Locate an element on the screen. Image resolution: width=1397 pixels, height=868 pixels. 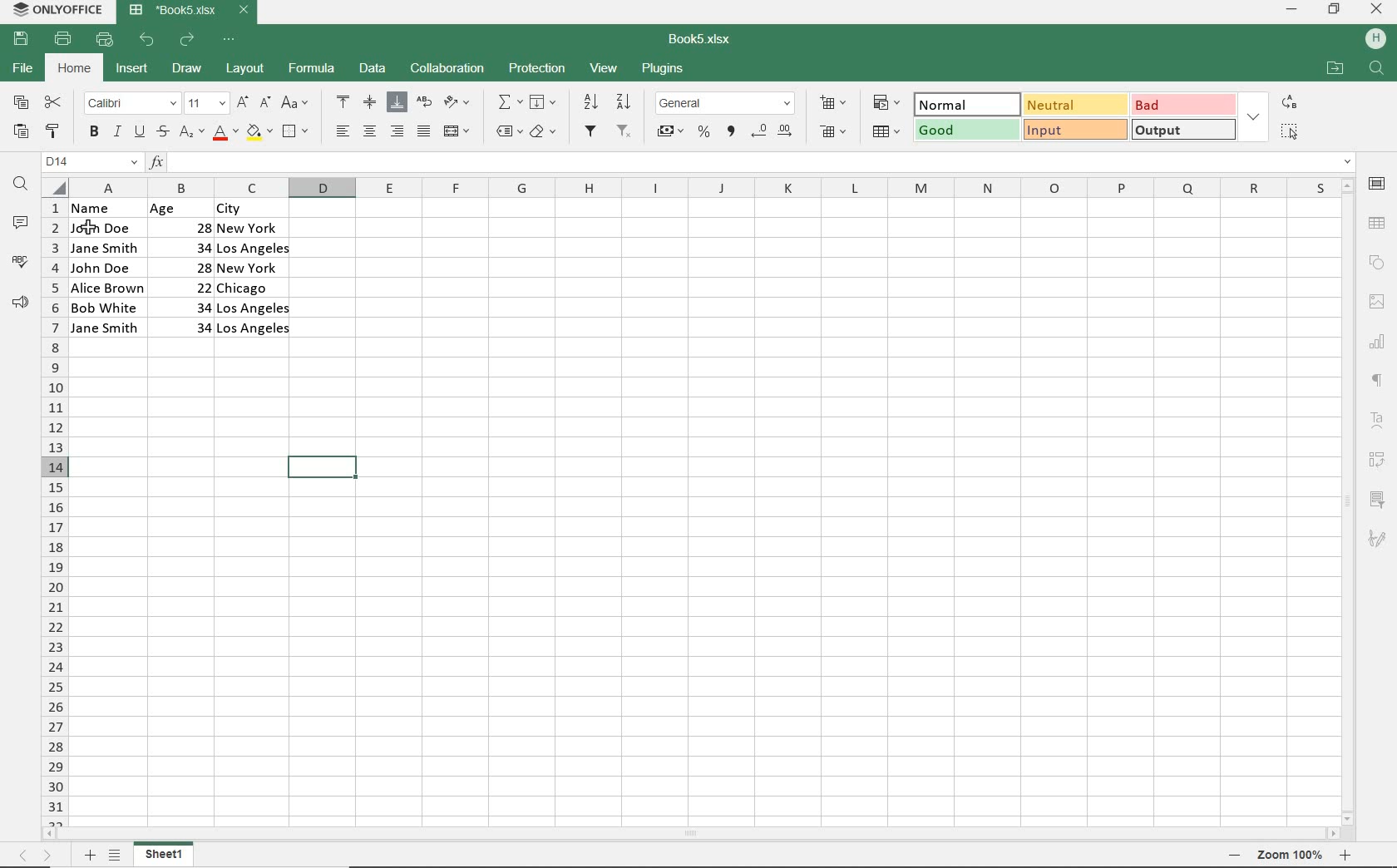
HOME is located at coordinates (76, 70).